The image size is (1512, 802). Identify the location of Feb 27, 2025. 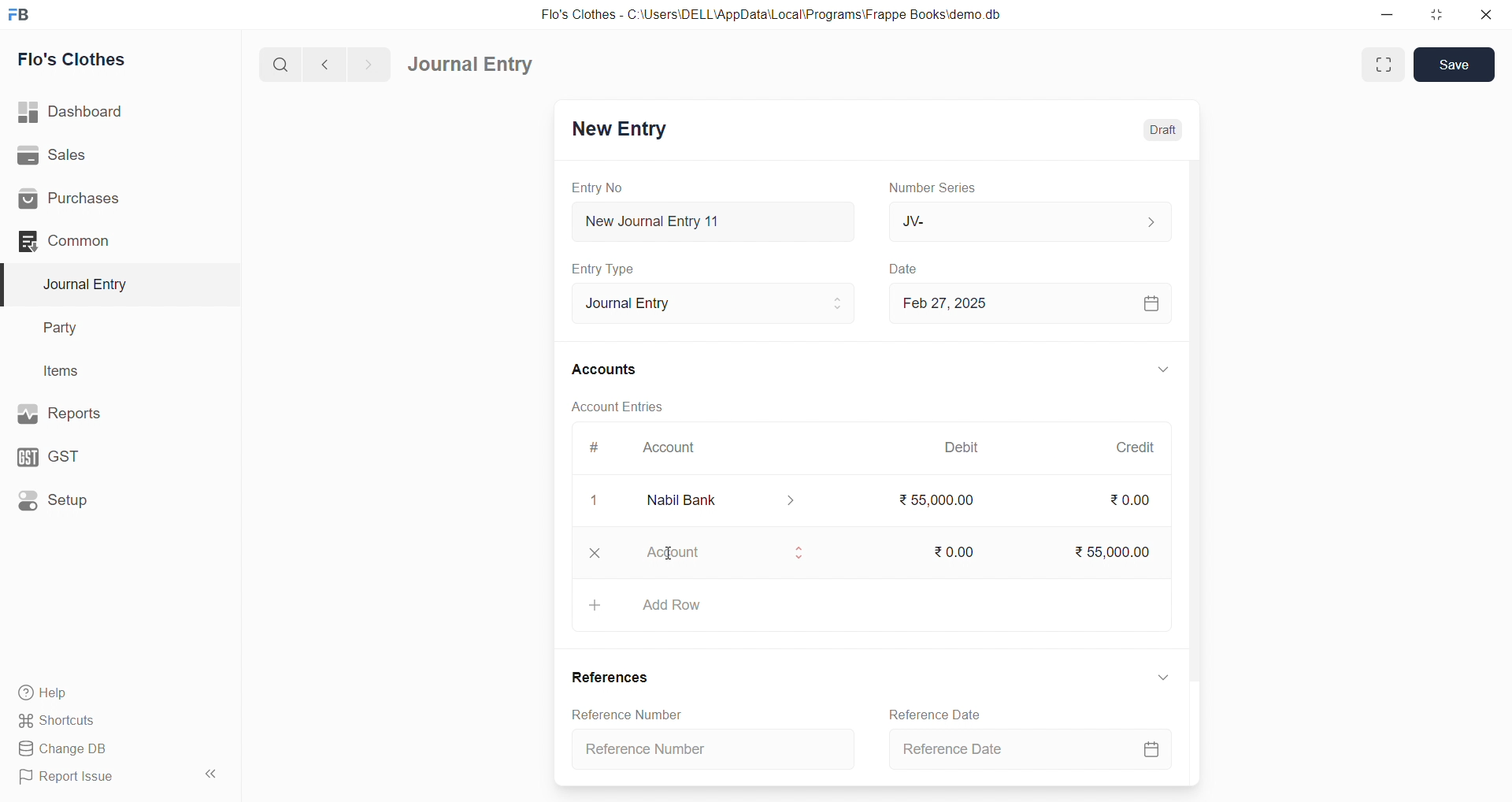
(1028, 303).